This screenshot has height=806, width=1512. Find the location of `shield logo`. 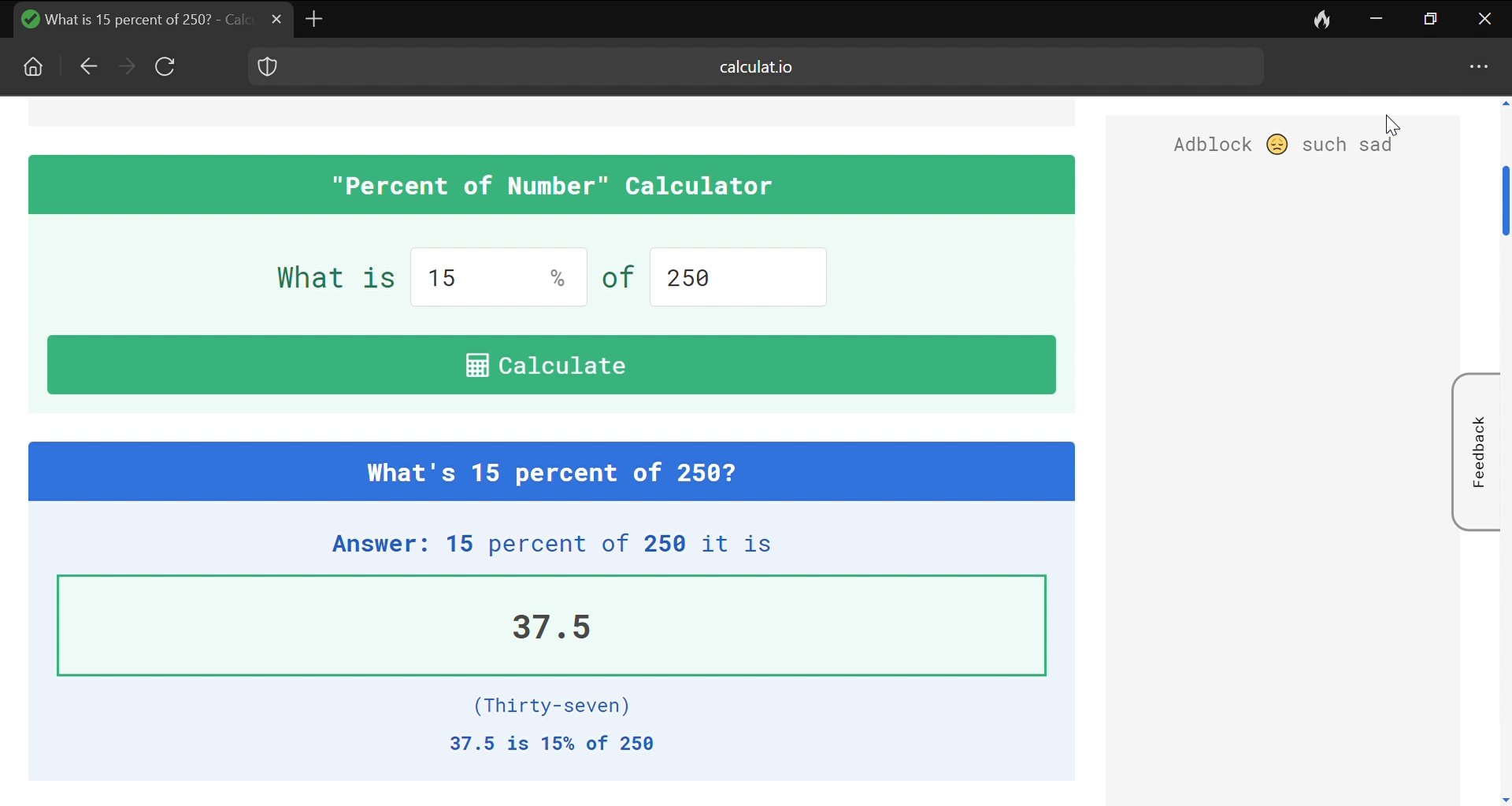

shield logo is located at coordinates (265, 67).